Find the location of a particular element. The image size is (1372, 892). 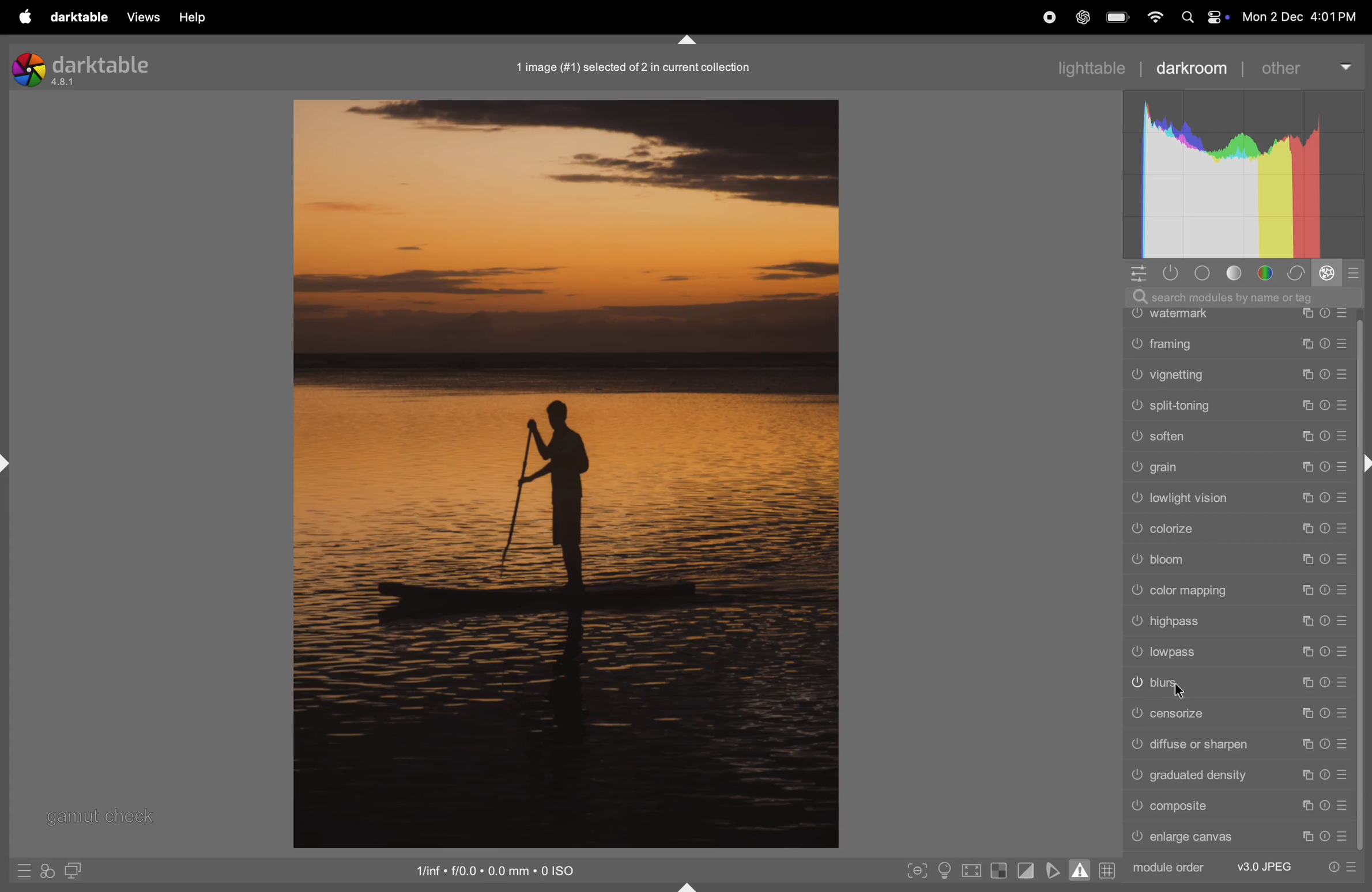

image is located at coordinates (562, 474).